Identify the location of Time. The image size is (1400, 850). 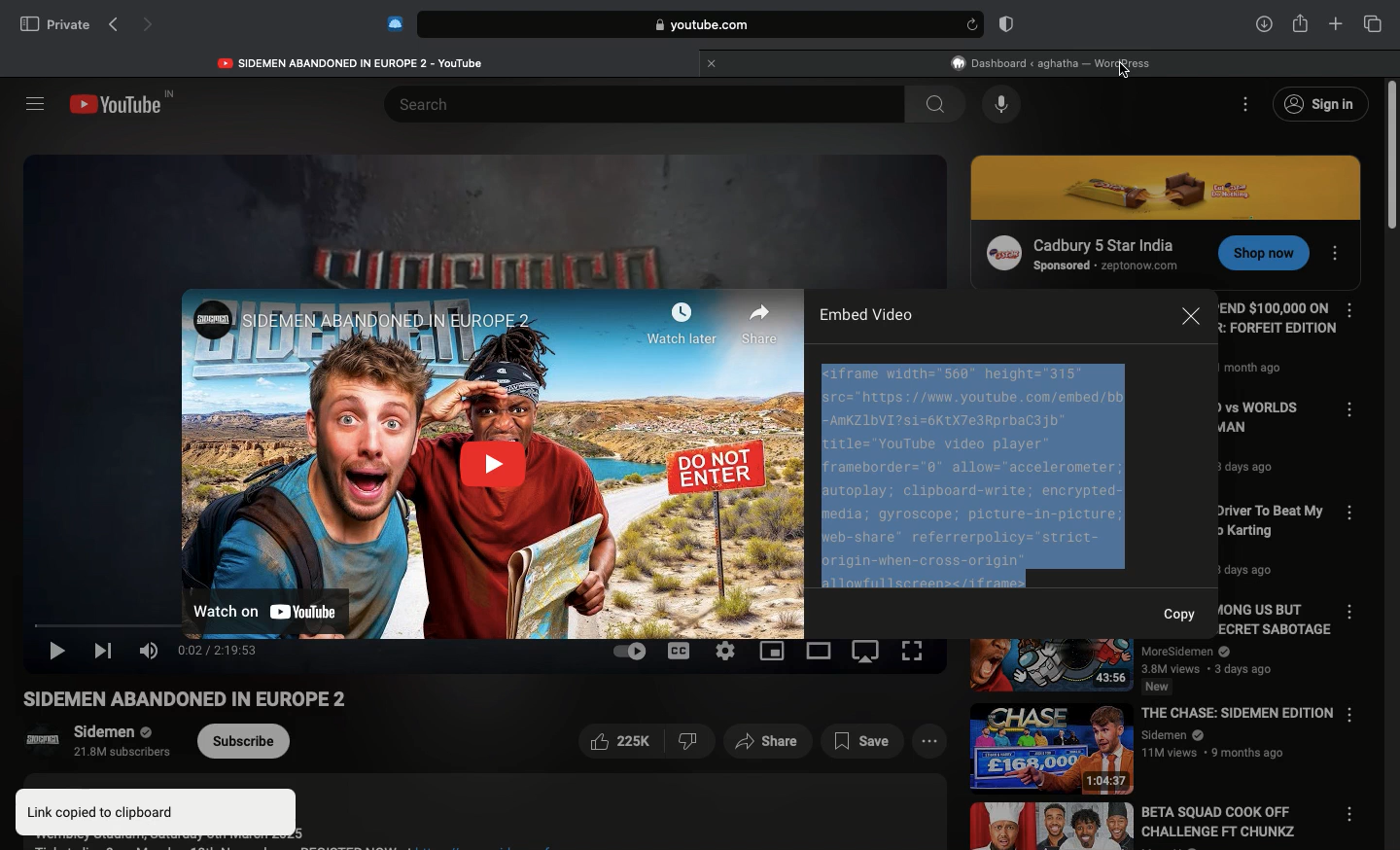
(218, 651).